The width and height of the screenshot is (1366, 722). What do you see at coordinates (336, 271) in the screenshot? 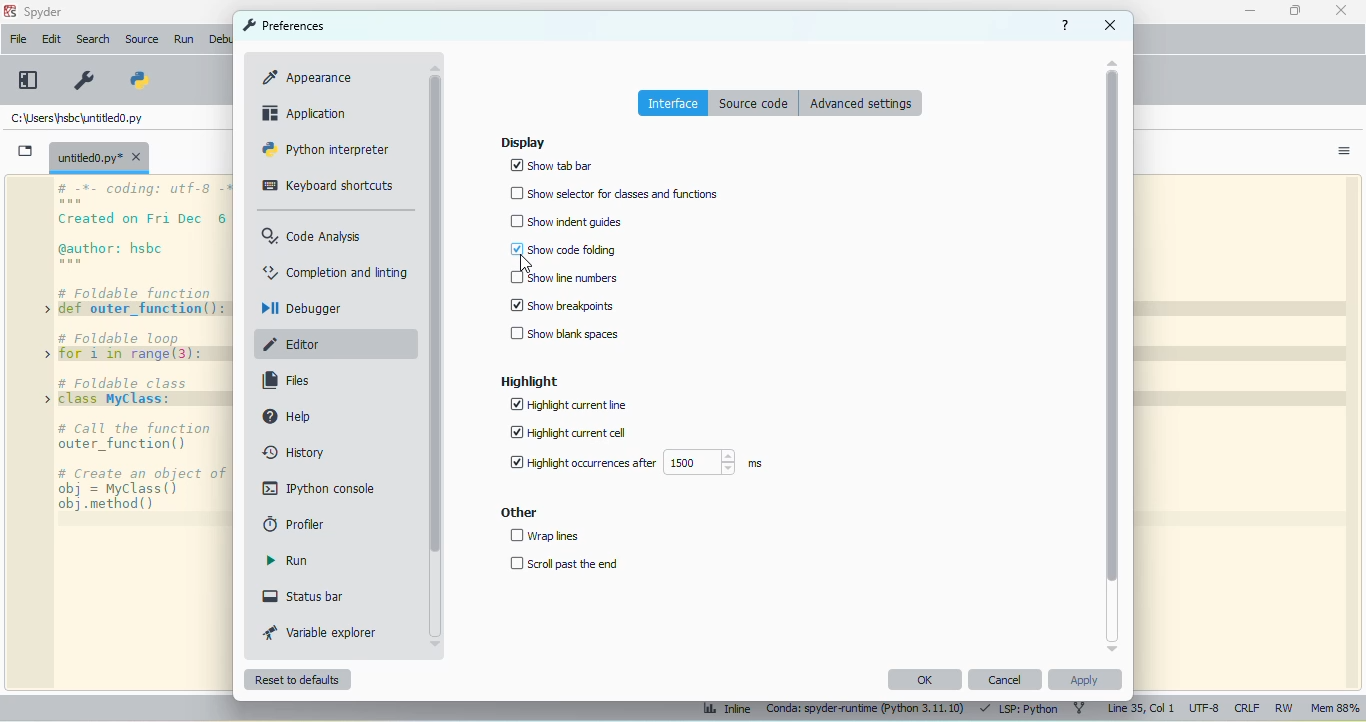
I see `completion and linting` at bounding box center [336, 271].